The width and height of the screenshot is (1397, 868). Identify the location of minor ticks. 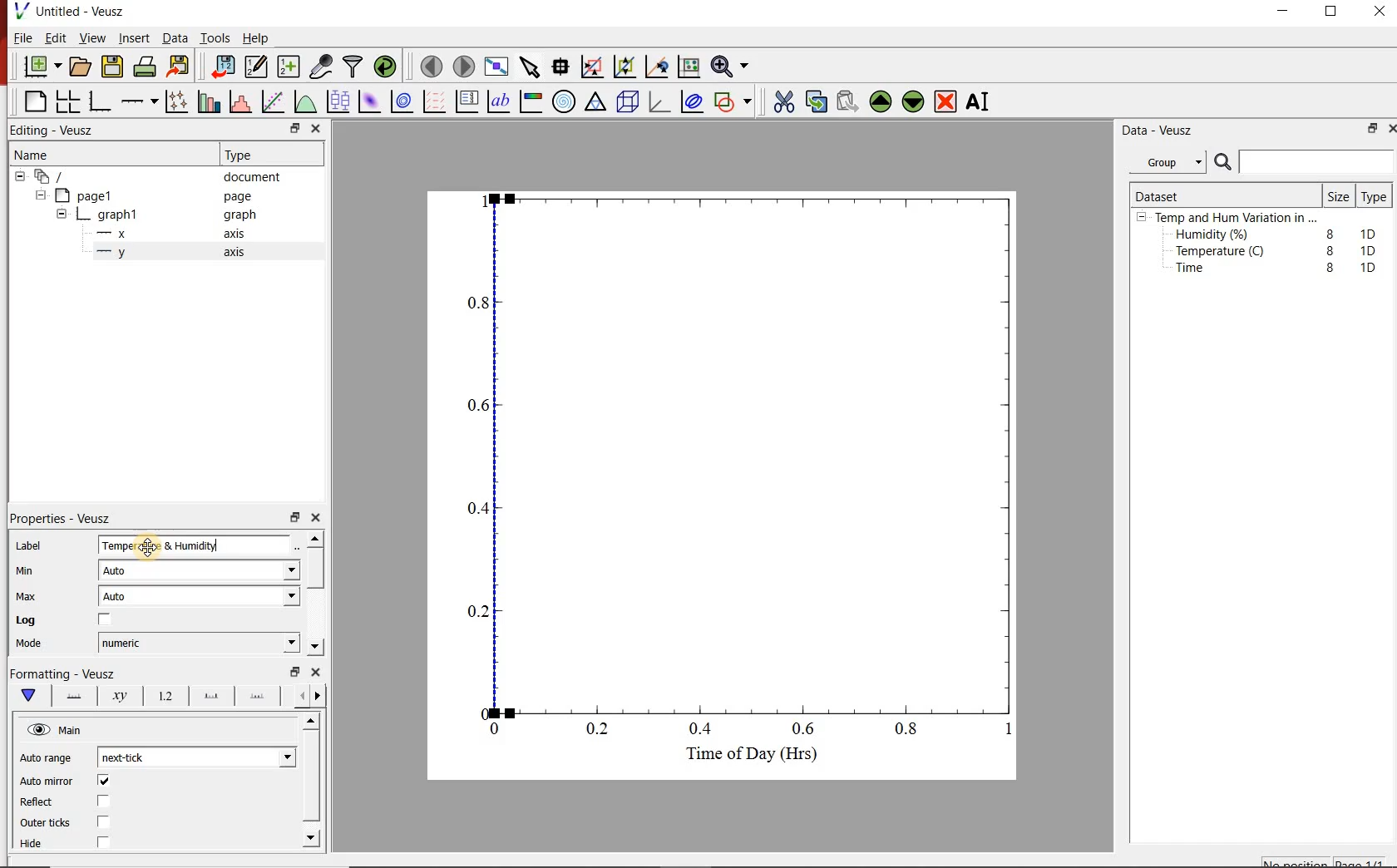
(259, 697).